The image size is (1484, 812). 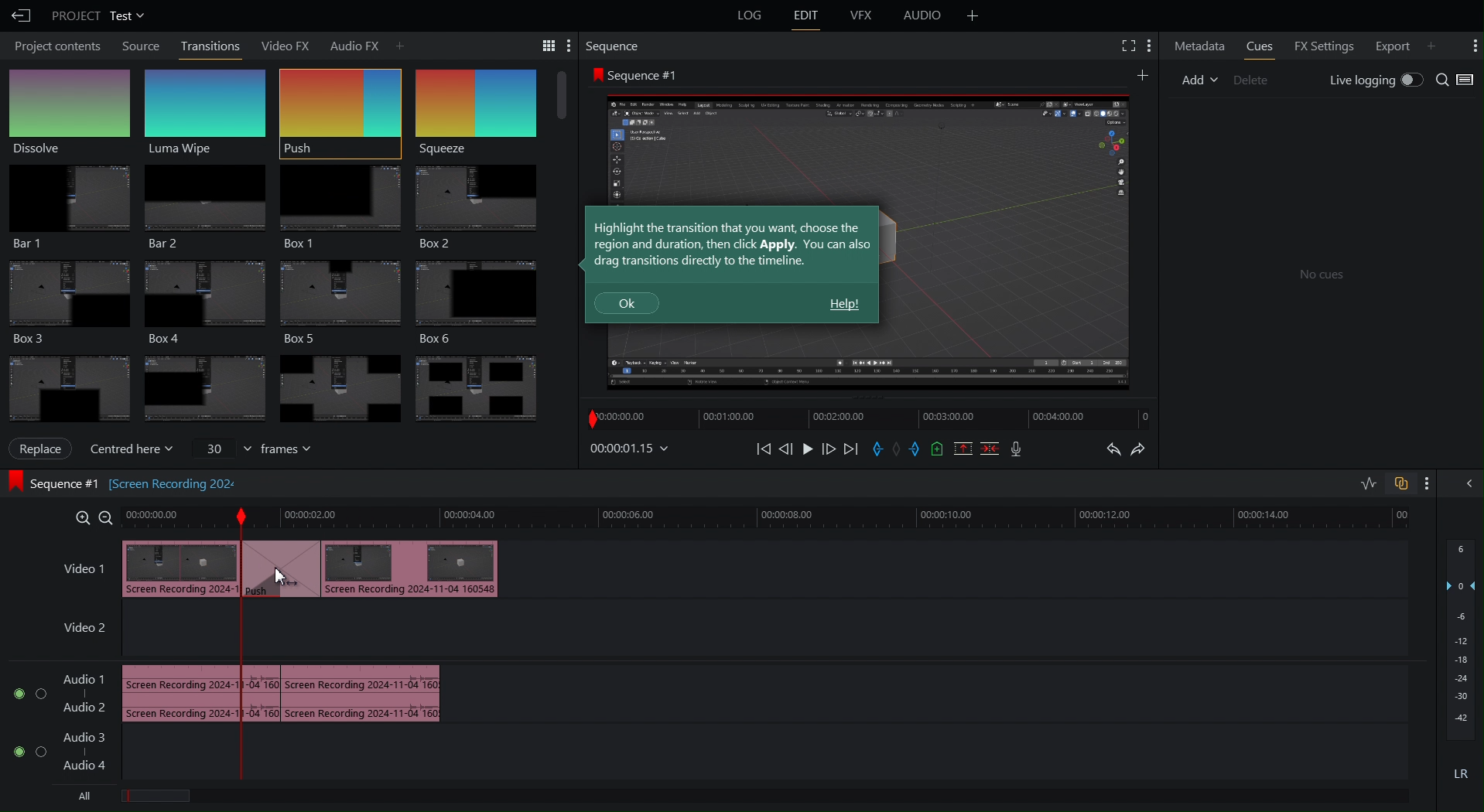 What do you see at coordinates (1259, 45) in the screenshot?
I see `Cues` at bounding box center [1259, 45].